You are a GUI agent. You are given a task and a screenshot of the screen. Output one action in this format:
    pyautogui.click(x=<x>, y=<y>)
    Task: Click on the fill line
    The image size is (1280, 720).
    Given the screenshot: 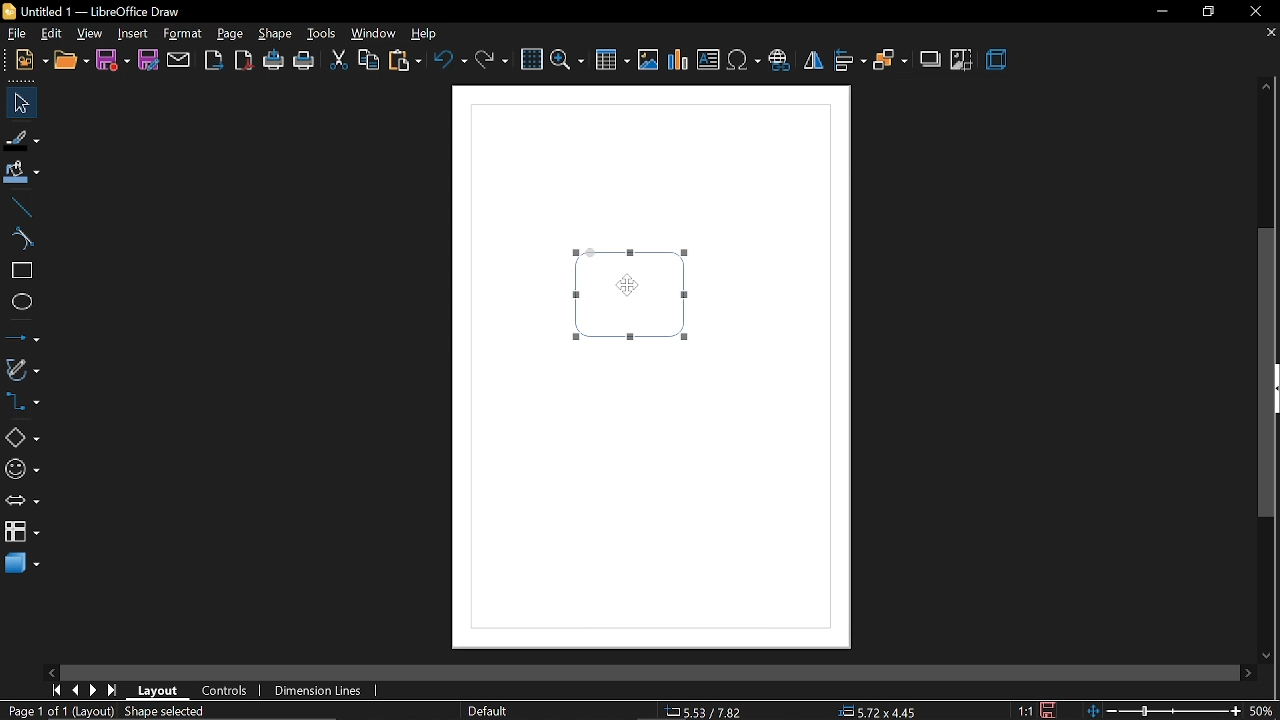 What is the action you would take?
    pyautogui.click(x=22, y=138)
    